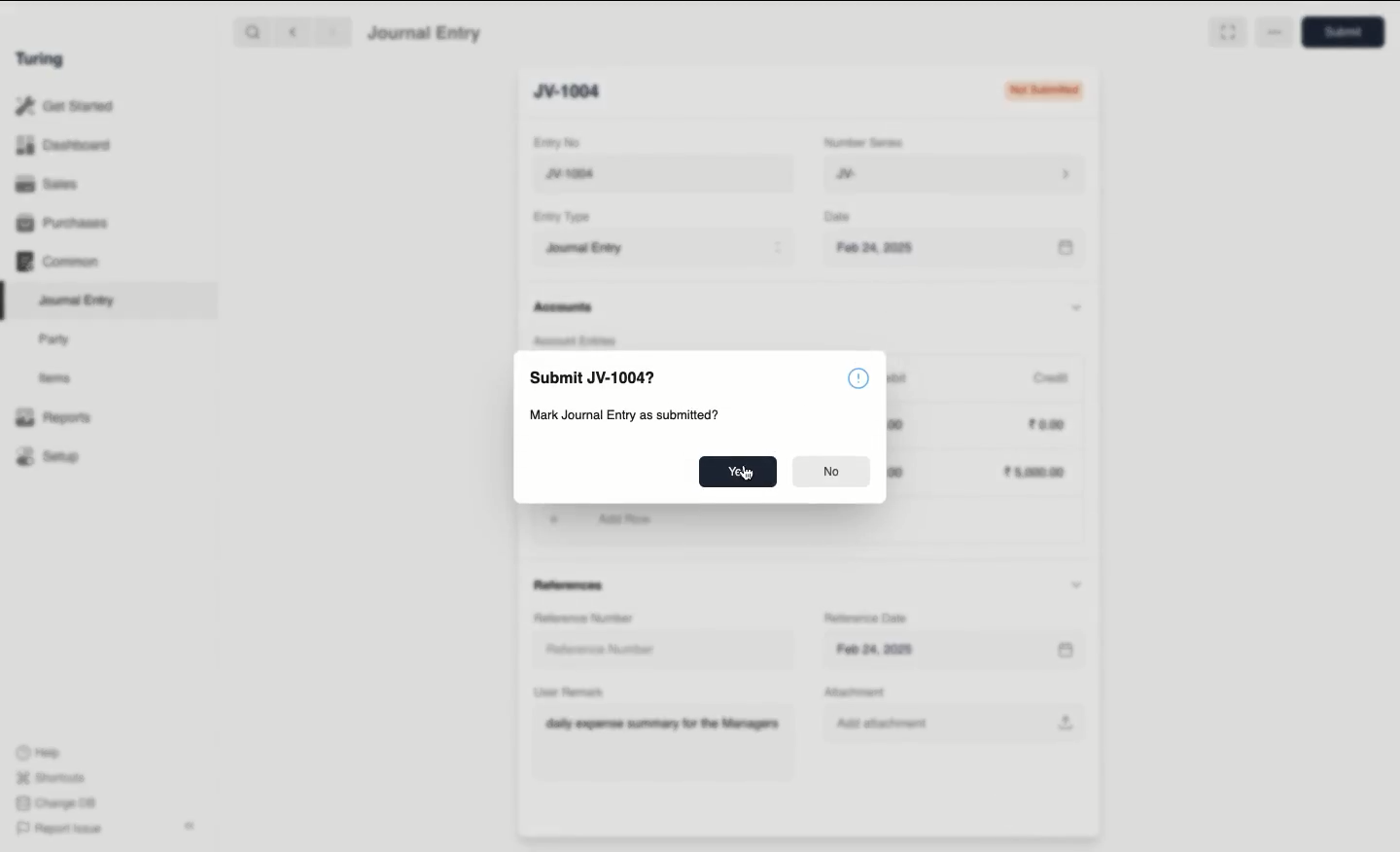  Describe the element at coordinates (857, 377) in the screenshot. I see `Information` at that location.